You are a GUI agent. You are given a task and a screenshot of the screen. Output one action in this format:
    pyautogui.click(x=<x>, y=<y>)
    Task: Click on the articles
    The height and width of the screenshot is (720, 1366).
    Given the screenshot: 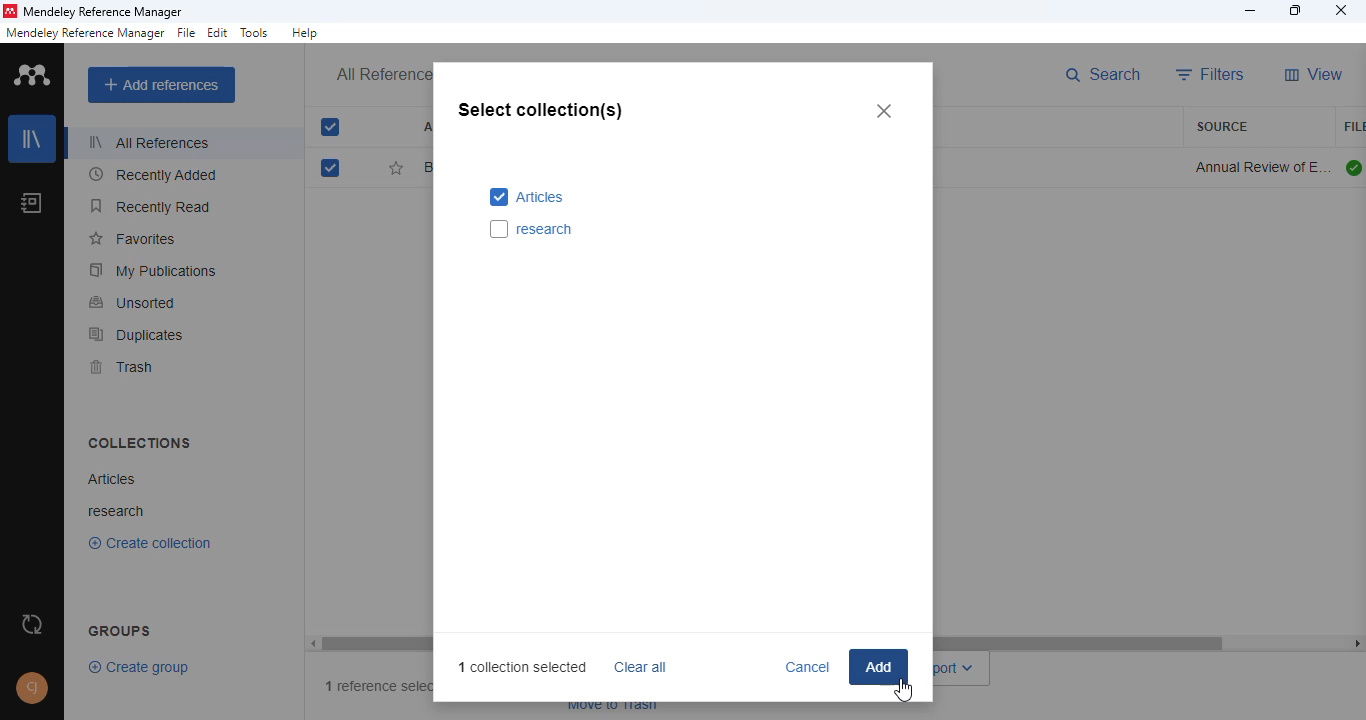 What is the action you would take?
    pyautogui.click(x=542, y=196)
    